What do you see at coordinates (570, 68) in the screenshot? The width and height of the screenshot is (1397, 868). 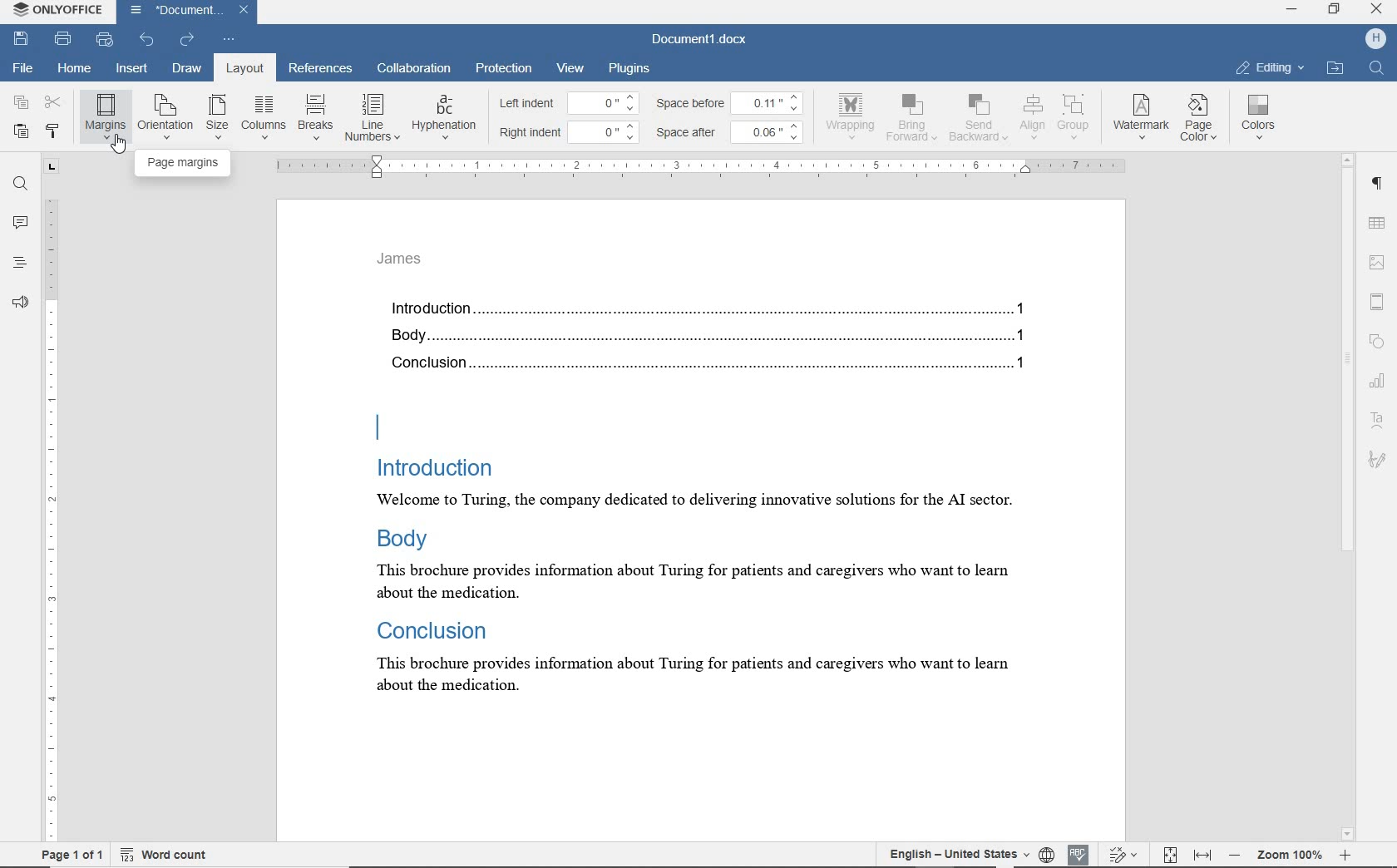 I see `view` at bounding box center [570, 68].